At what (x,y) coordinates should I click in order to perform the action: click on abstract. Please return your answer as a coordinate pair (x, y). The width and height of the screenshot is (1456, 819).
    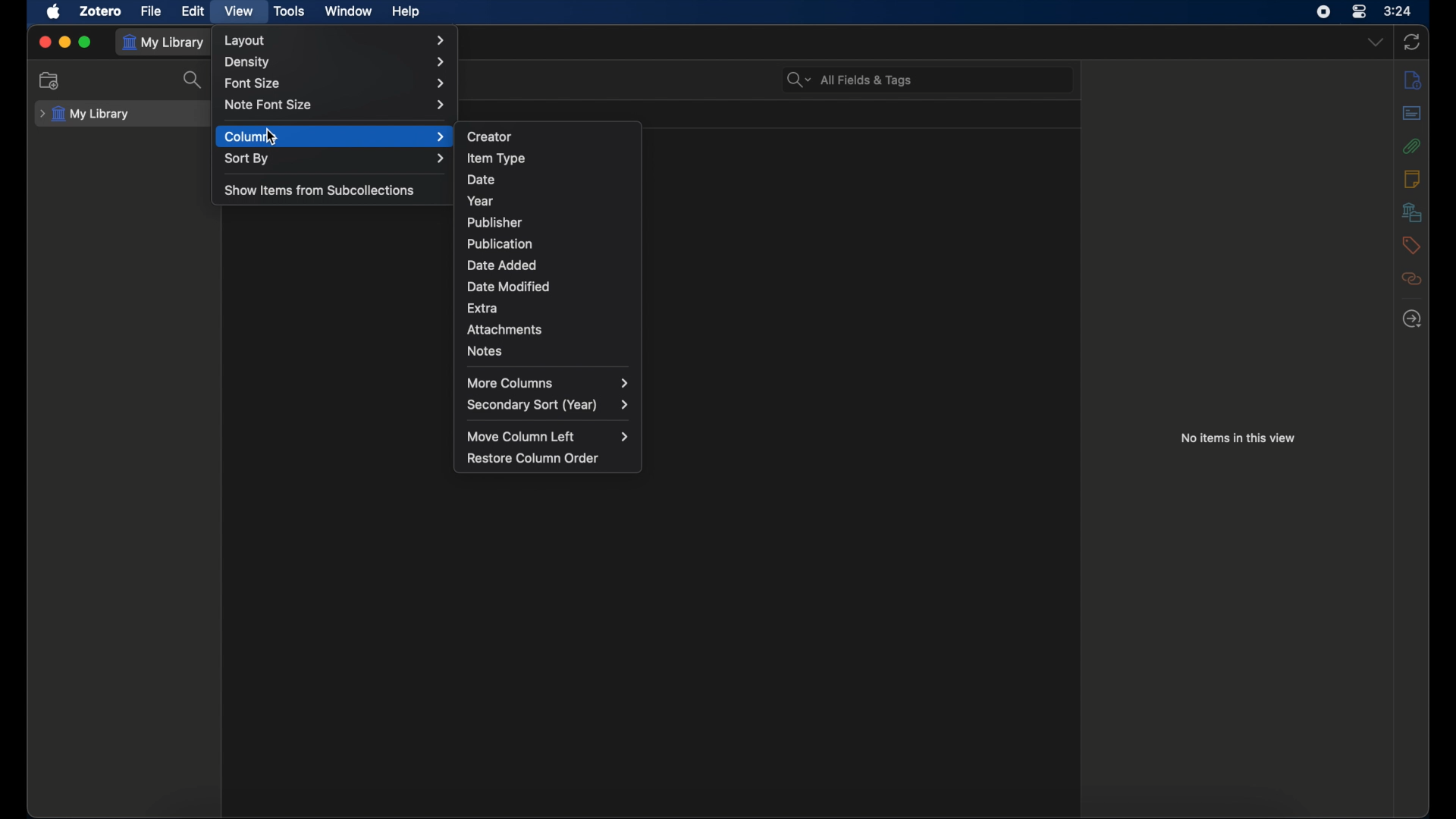
    Looking at the image, I should click on (1412, 112).